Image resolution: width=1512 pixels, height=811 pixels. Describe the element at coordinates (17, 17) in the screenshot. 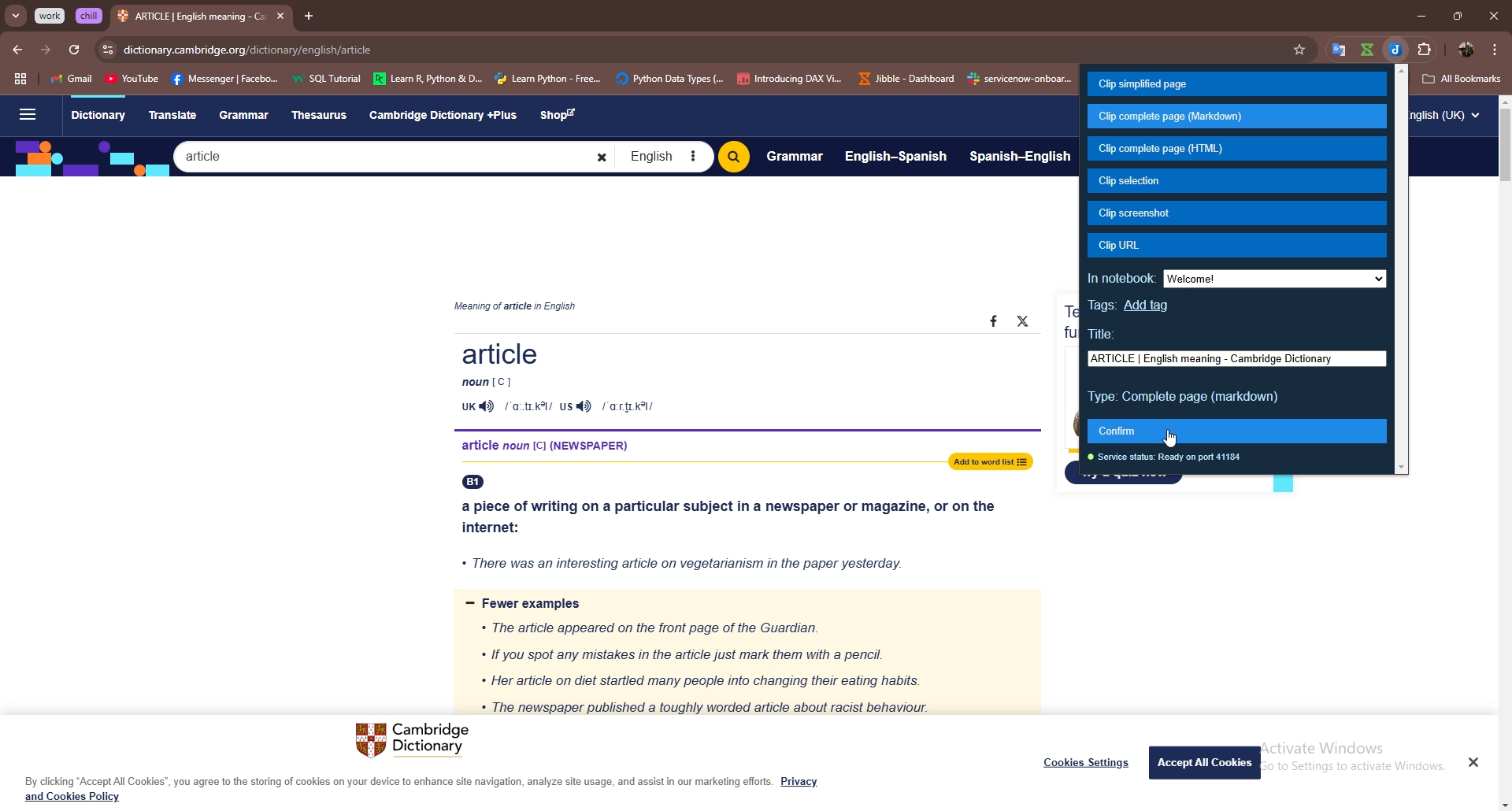

I see `search tabs` at that location.